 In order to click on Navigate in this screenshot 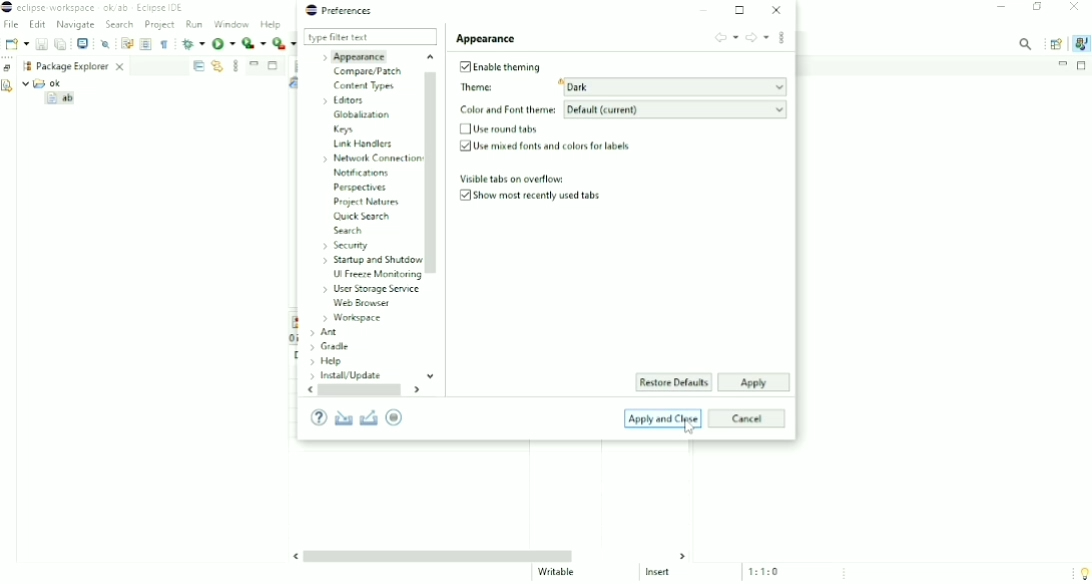, I will do `click(75, 25)`.